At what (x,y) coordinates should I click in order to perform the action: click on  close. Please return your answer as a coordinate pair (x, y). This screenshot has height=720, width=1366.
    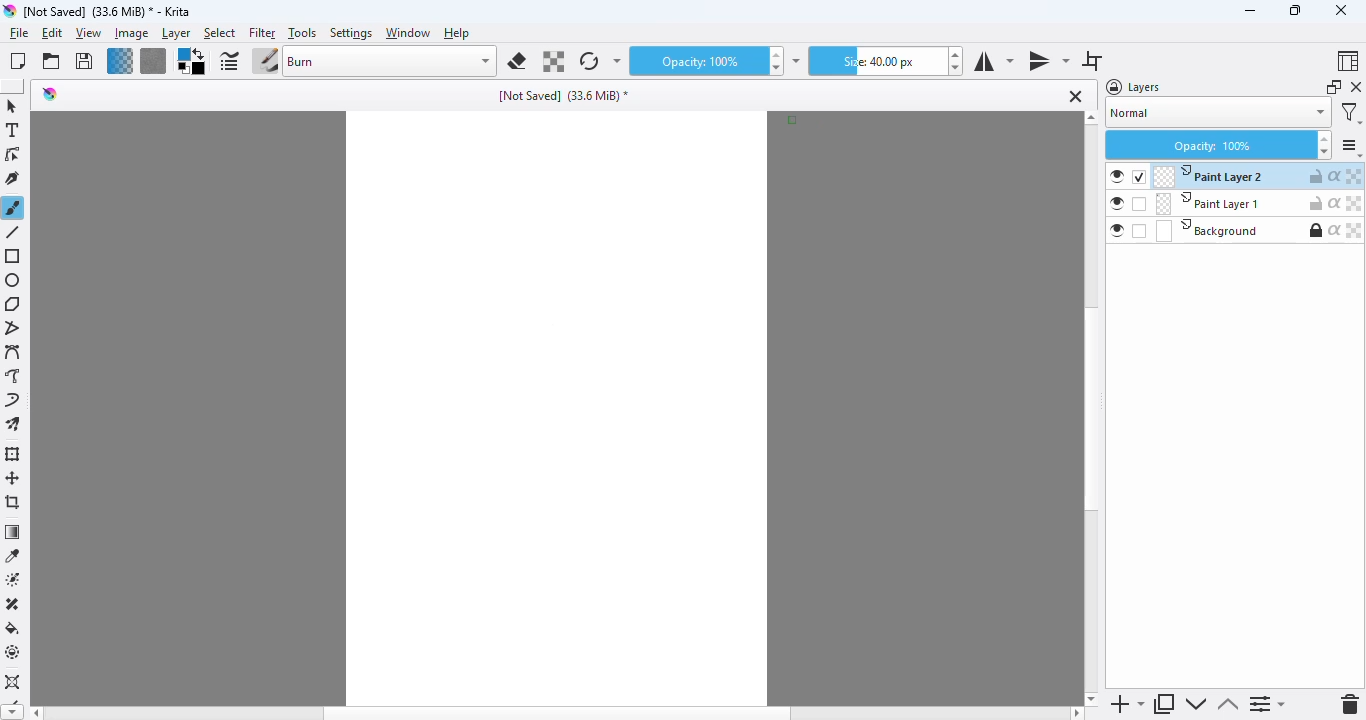
    Looking at the image, I should click on (1340, 10).